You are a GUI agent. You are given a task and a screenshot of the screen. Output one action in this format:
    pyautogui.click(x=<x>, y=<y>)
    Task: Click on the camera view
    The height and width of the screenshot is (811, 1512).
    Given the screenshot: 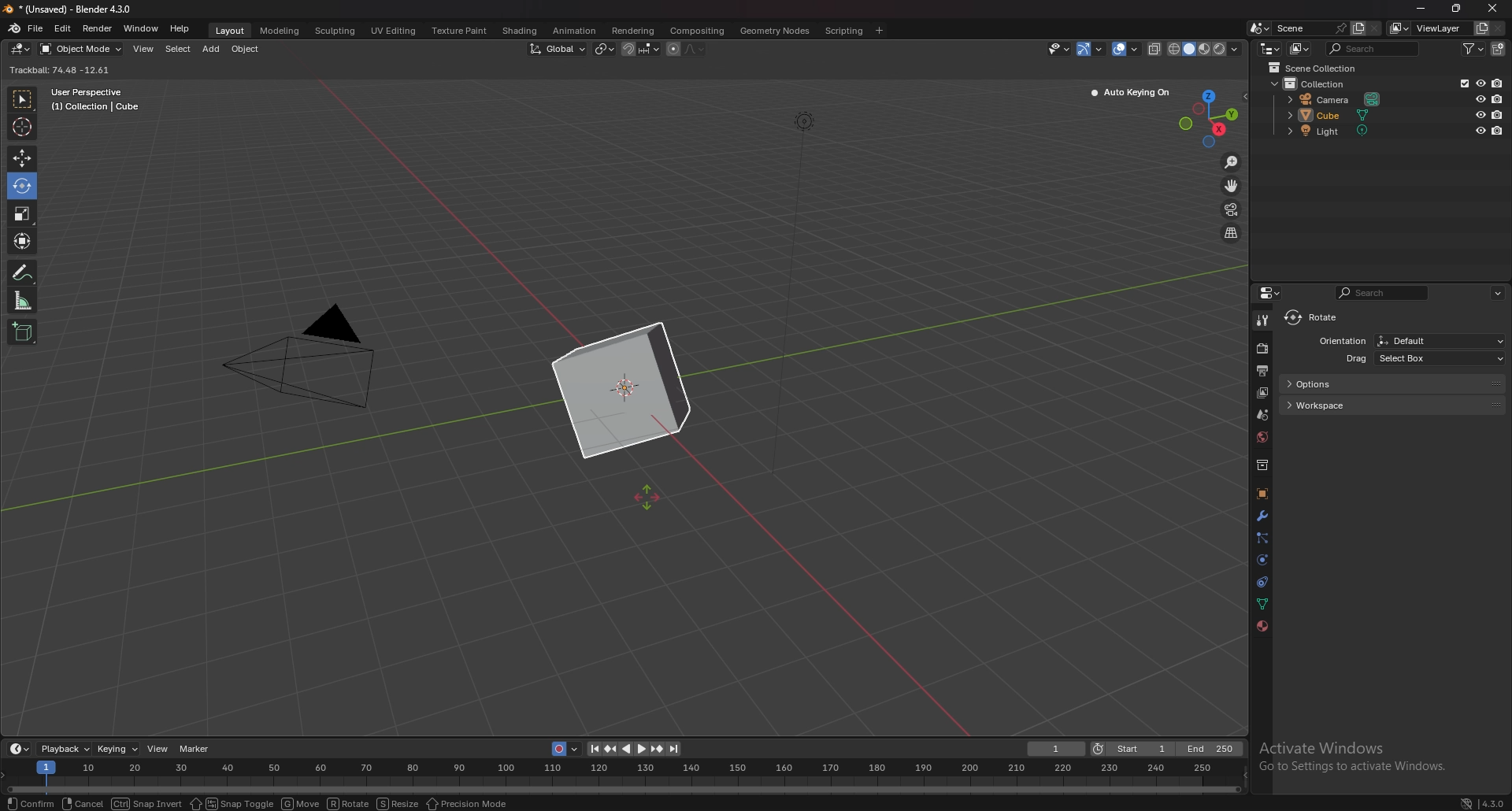 What is the action you would take?
    pyautogui.click(x=1232, y=209)
    